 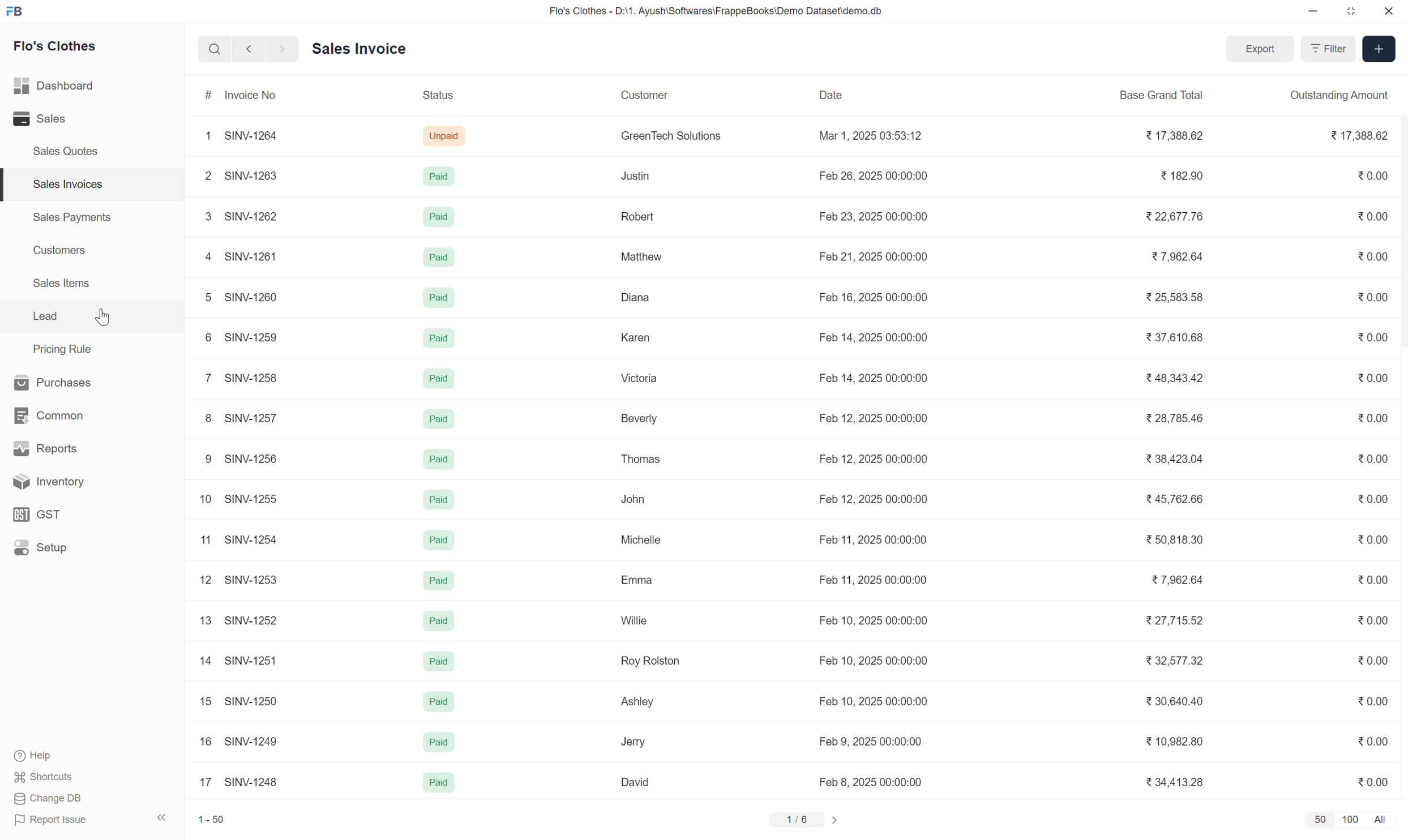 What do you see at coordinates (632, 782) in the screenshot?
I see `David` at bounding box center [632, 782].